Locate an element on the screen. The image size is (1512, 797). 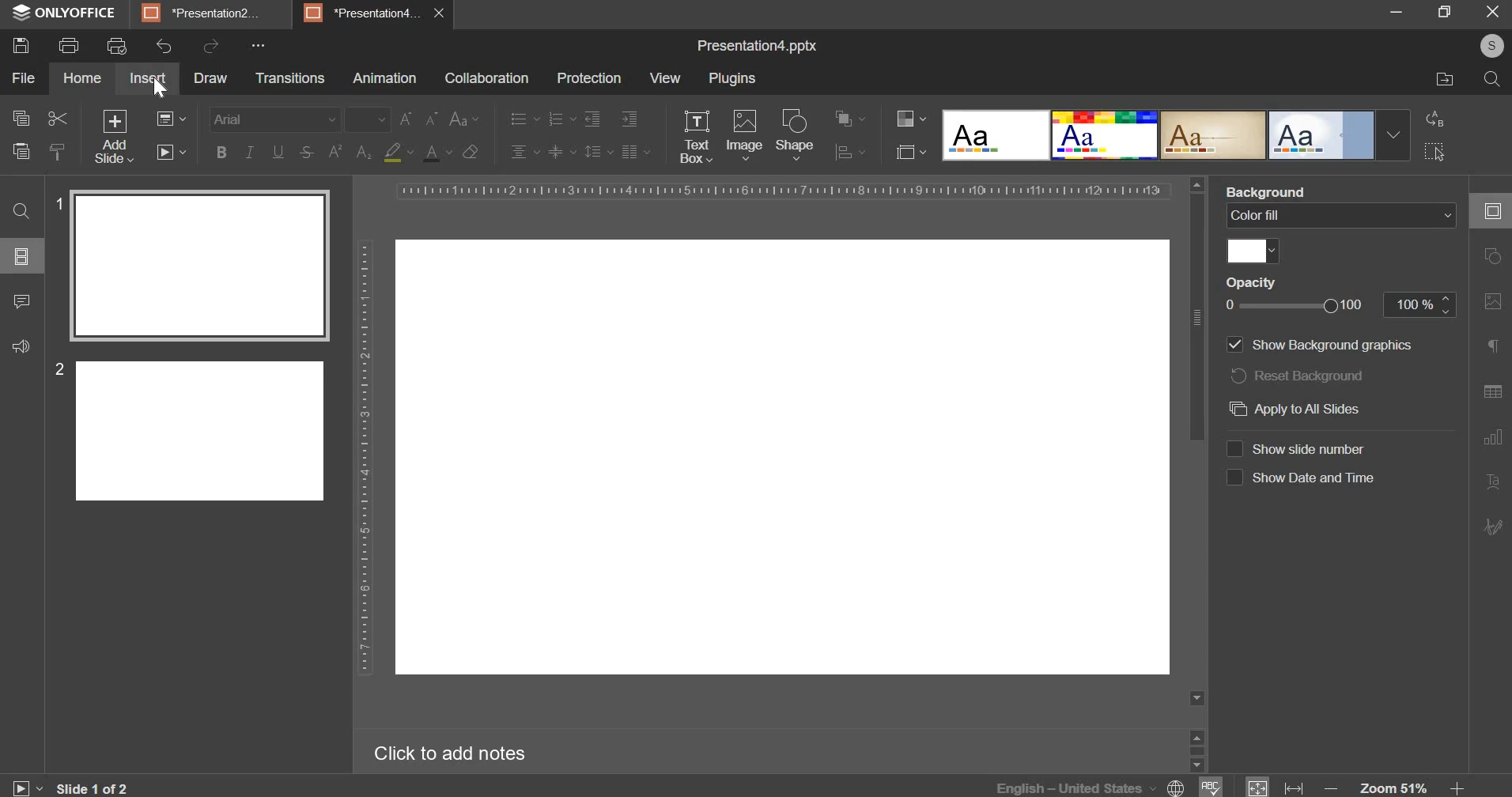
numbering is located at coordinates (561, 119).